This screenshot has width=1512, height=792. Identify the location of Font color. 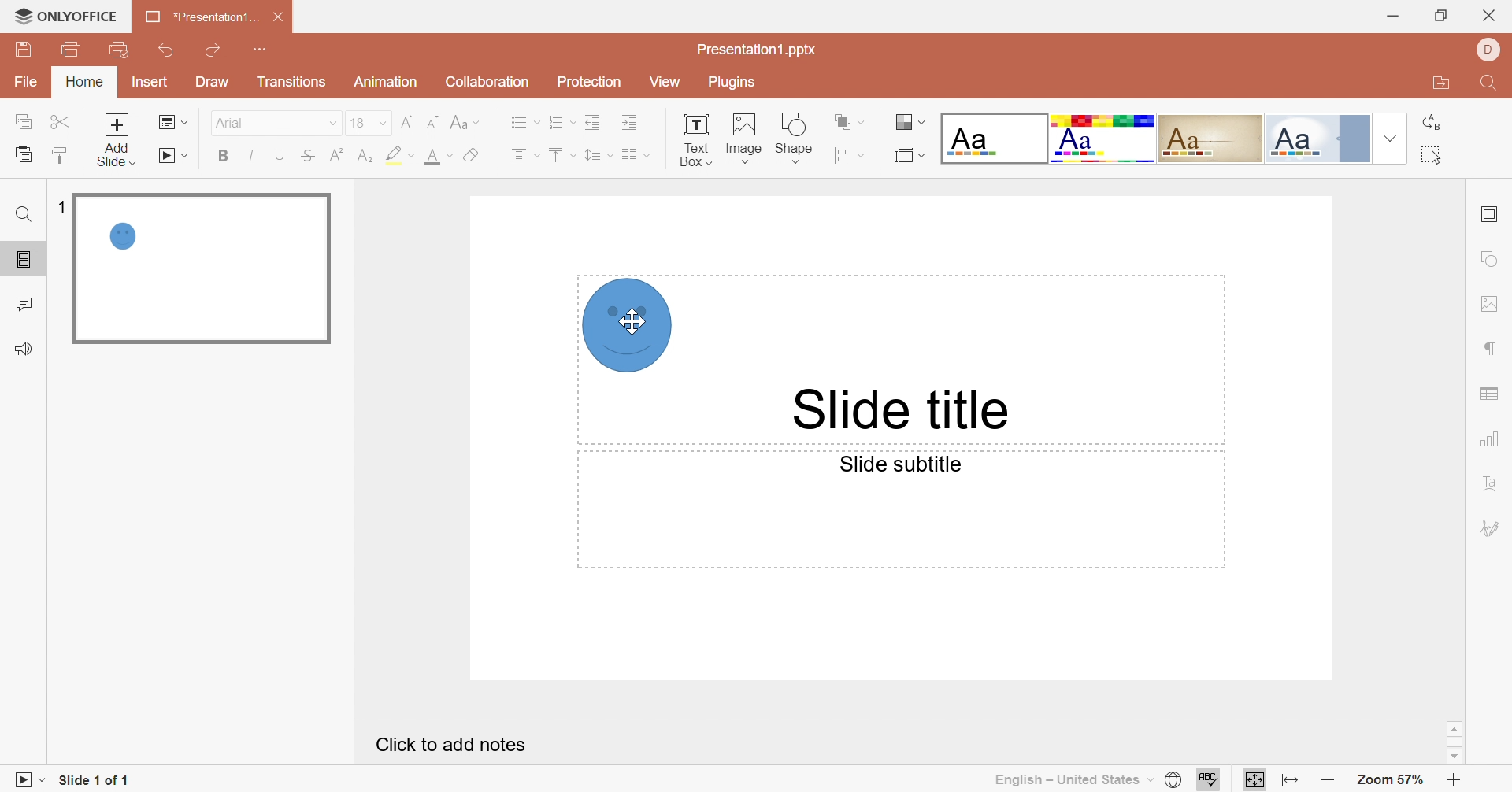
(438, 156).